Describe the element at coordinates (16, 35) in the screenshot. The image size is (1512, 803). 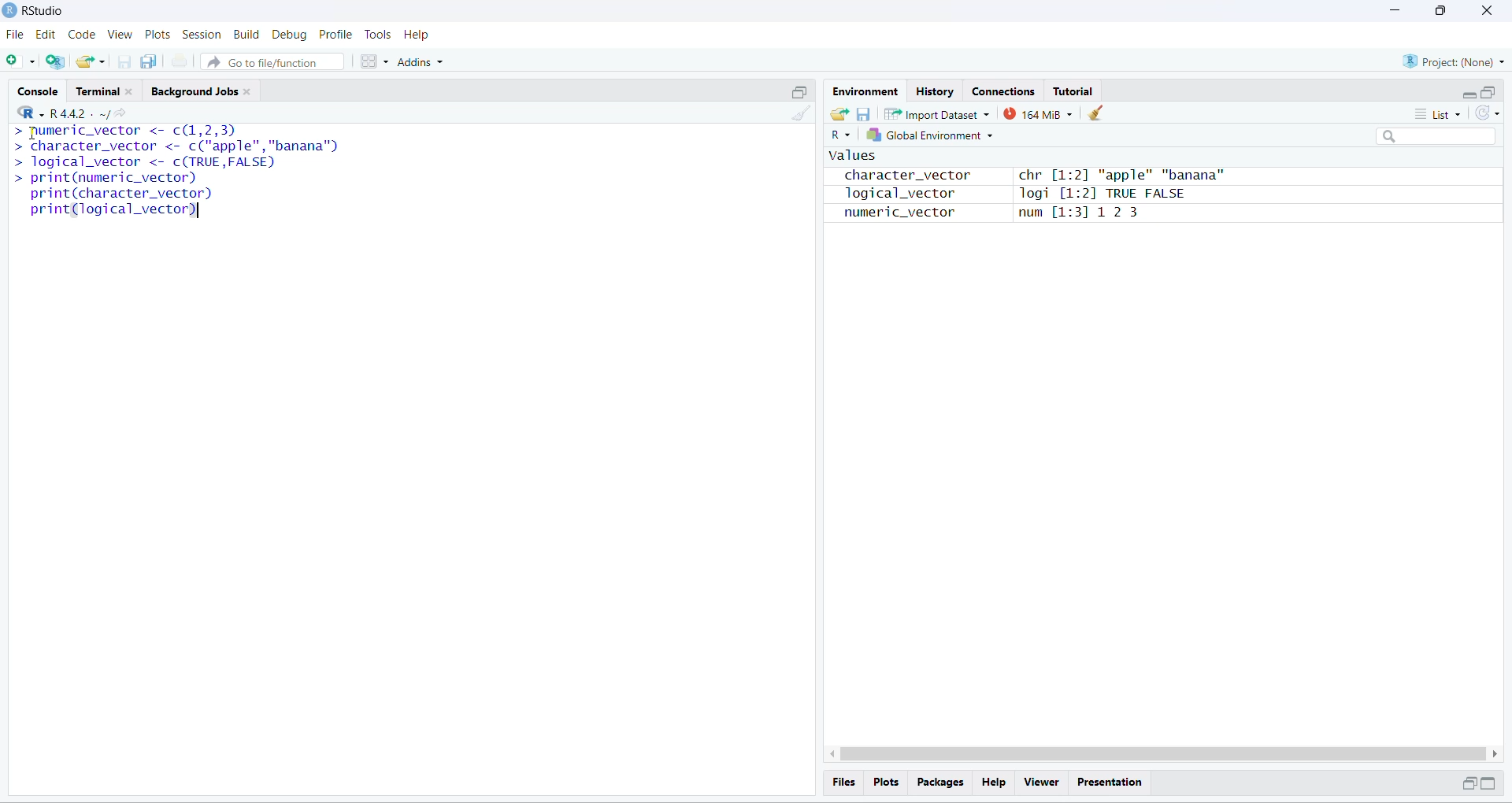
I see `File` at that location.